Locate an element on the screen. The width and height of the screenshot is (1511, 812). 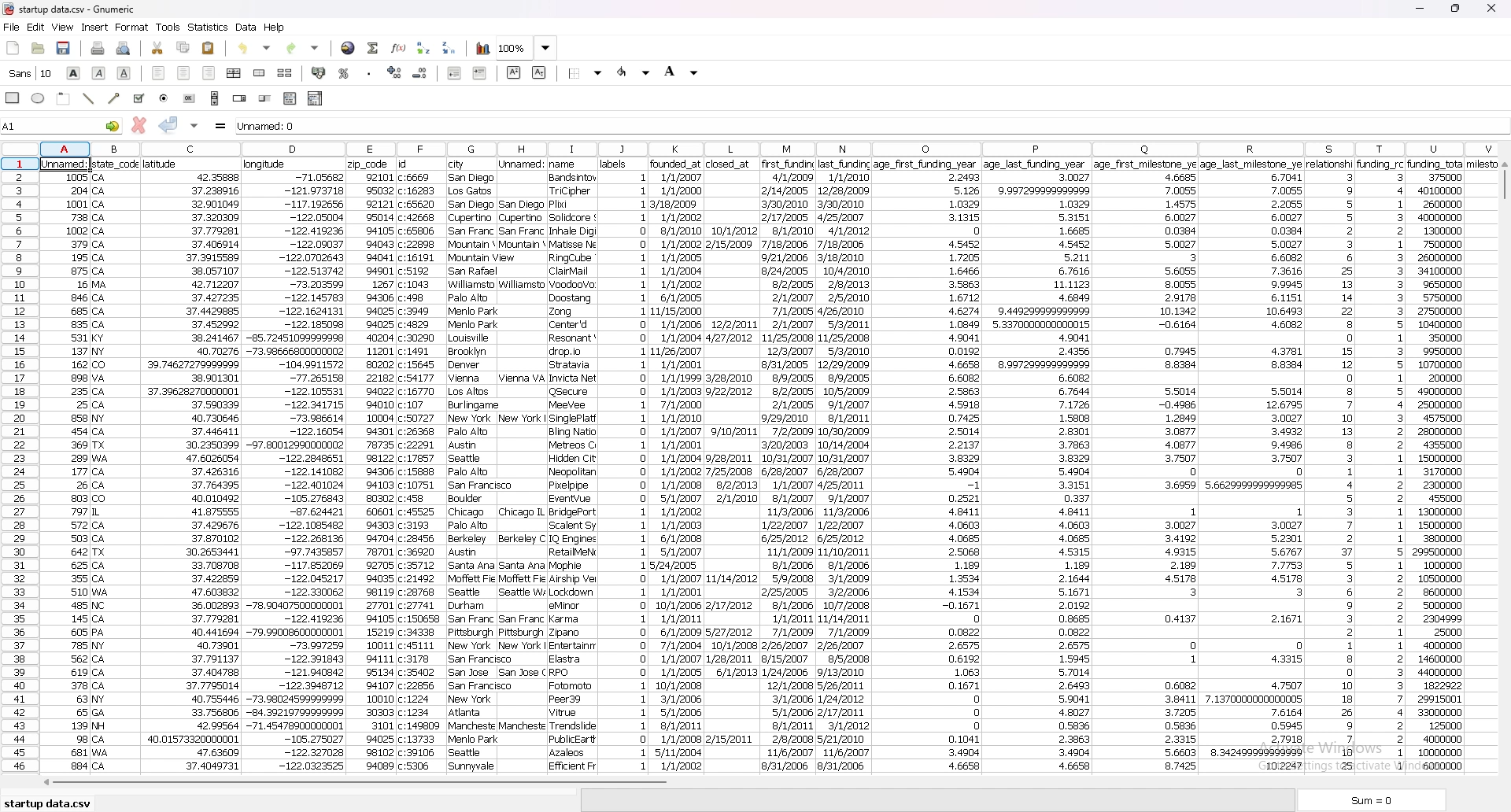
cut is located at coordinates (157, 49).